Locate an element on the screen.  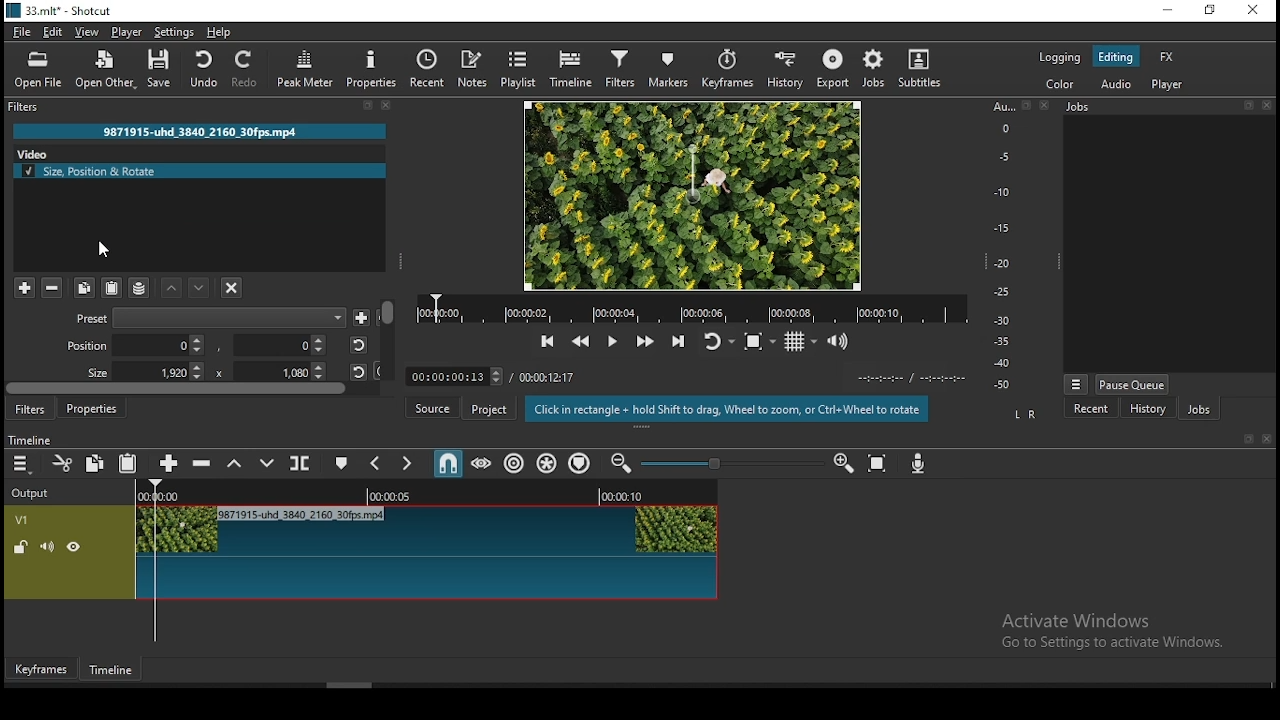
zoom timeline out is located at coordinates (619, 464).